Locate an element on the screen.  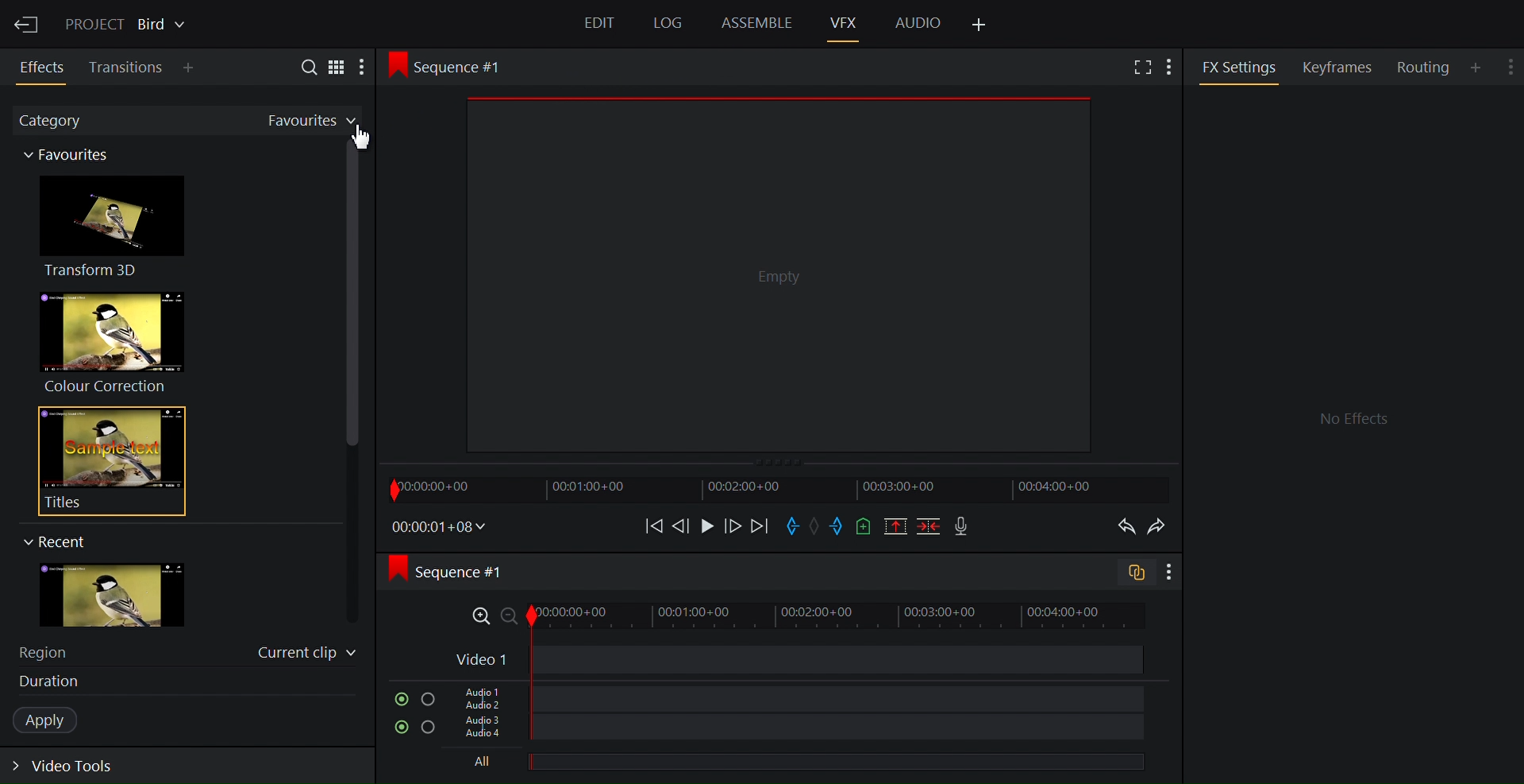
Add Panel is located at coordinates (980, 25).